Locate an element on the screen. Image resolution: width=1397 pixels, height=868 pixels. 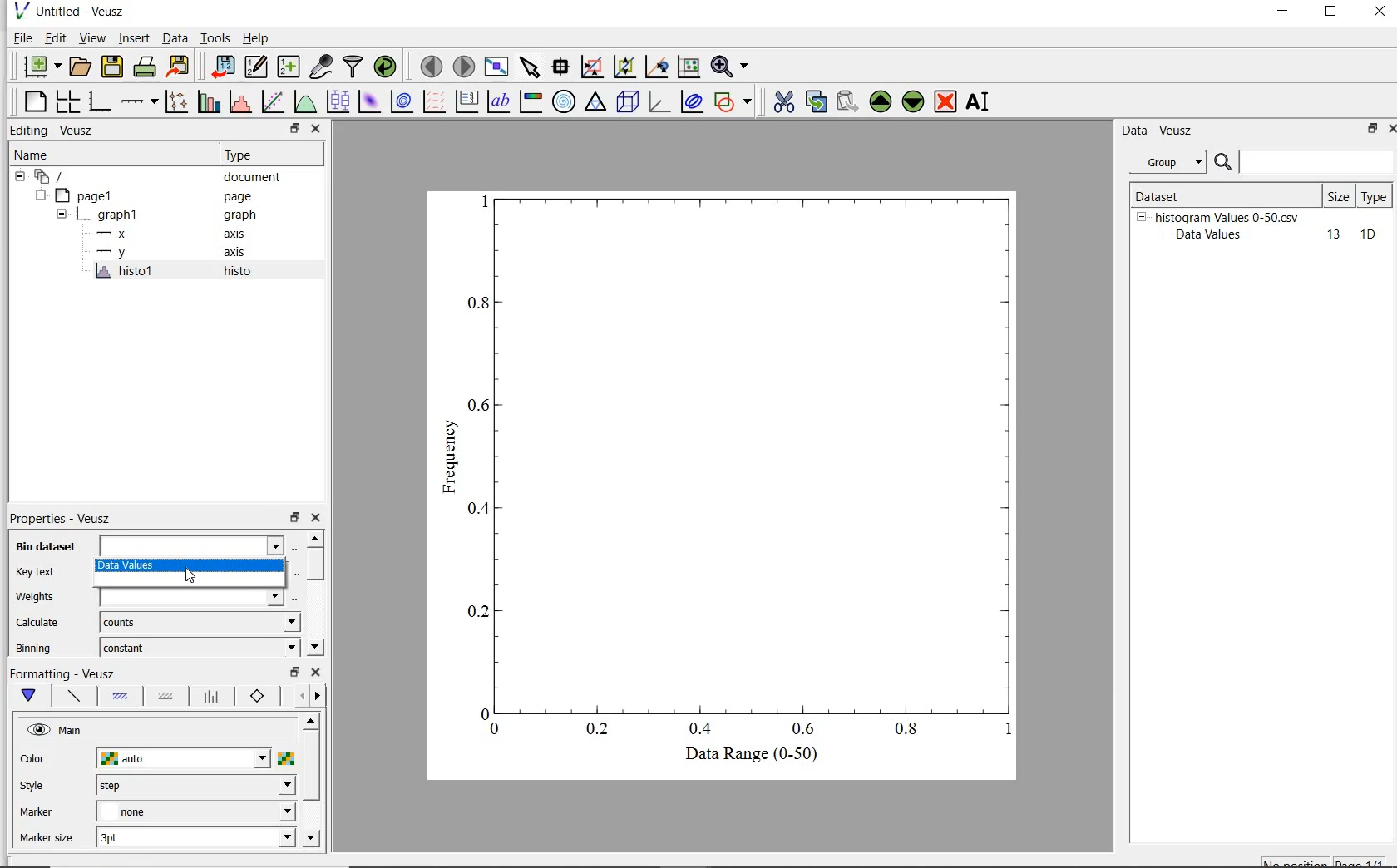
arrange graphs in a grid  is located at coordinates (70, 99).